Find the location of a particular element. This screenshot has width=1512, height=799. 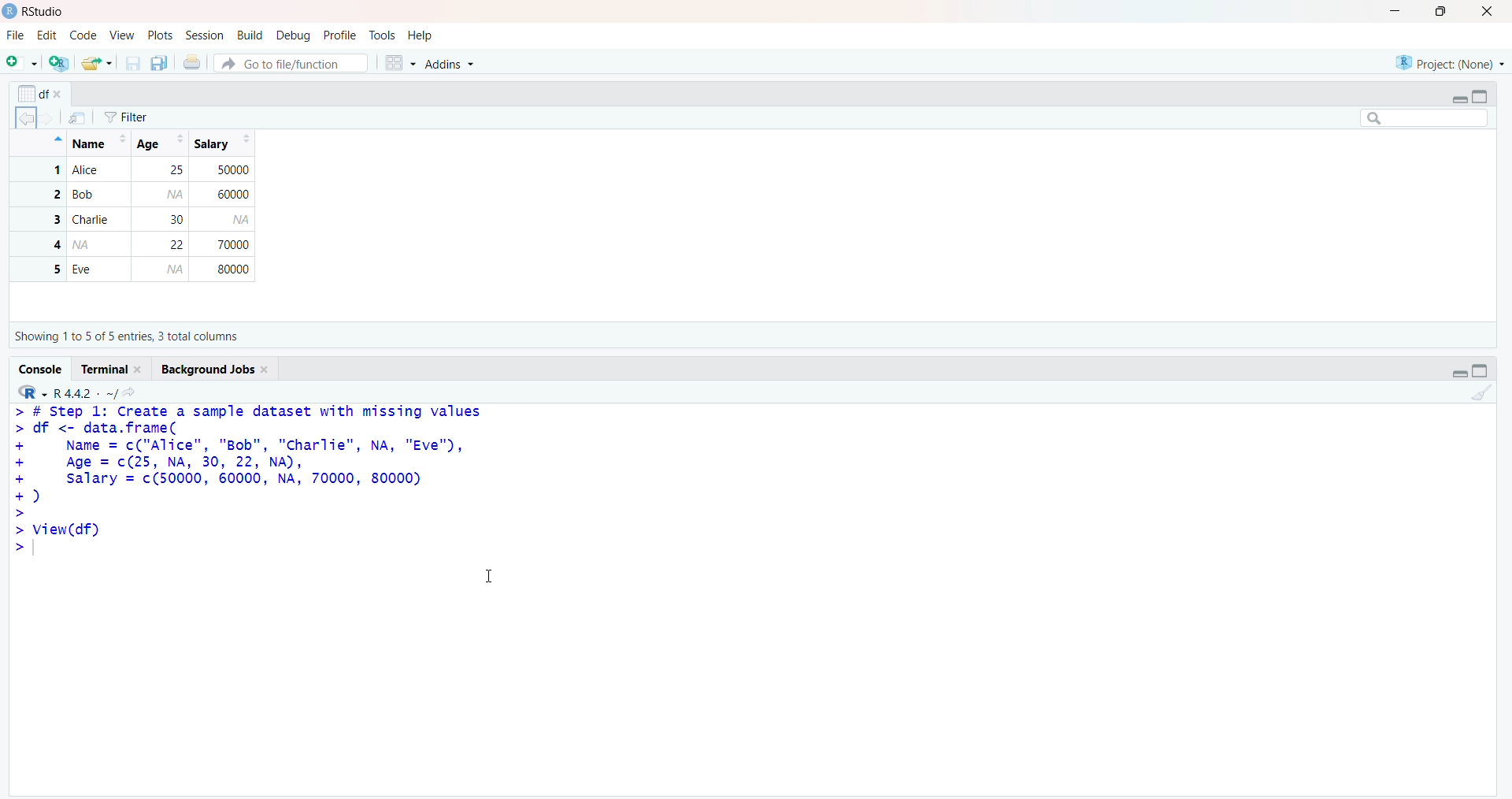

Maximize is located at coordinates (1480, 372).